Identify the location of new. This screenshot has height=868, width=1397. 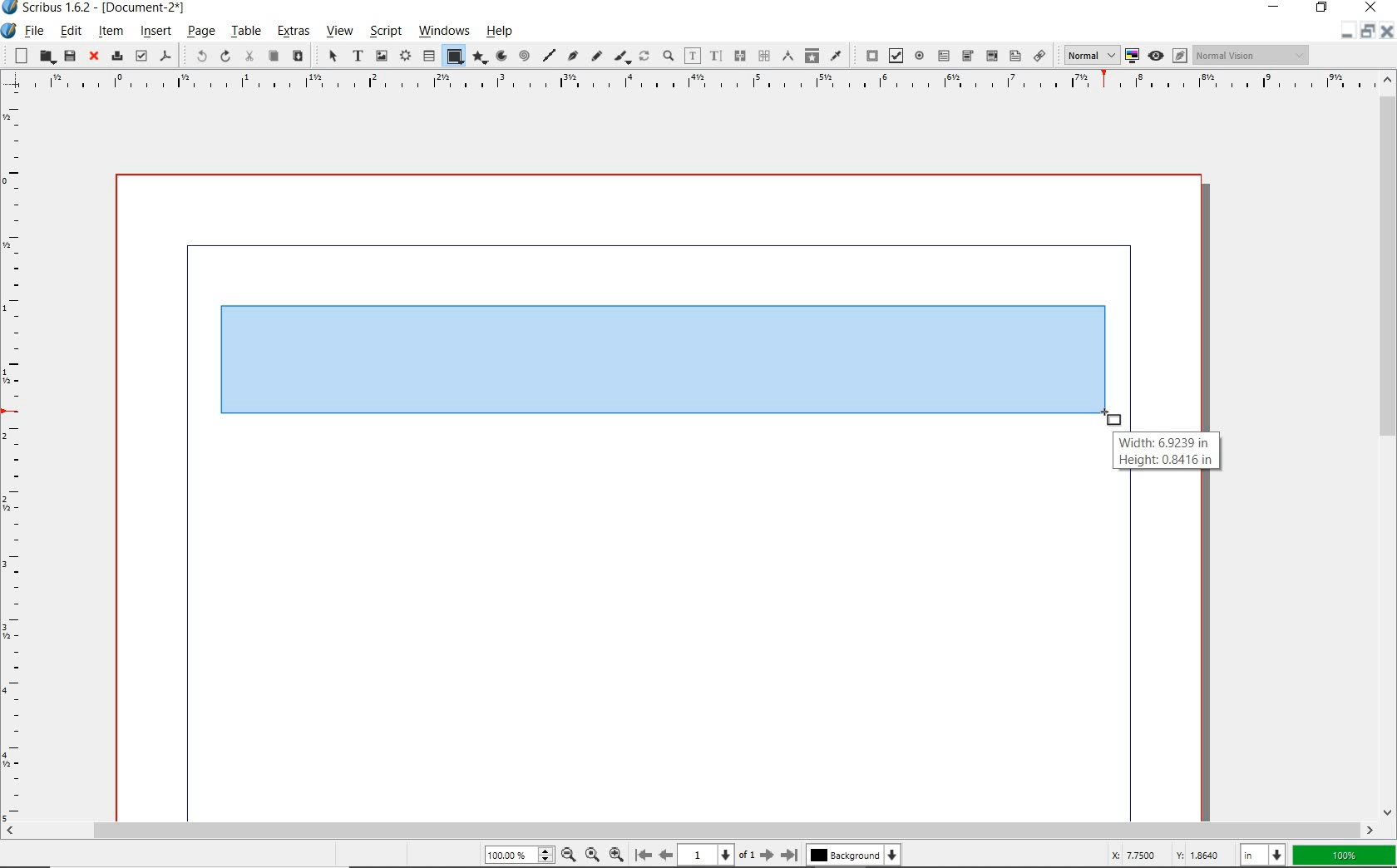
(17, 55).